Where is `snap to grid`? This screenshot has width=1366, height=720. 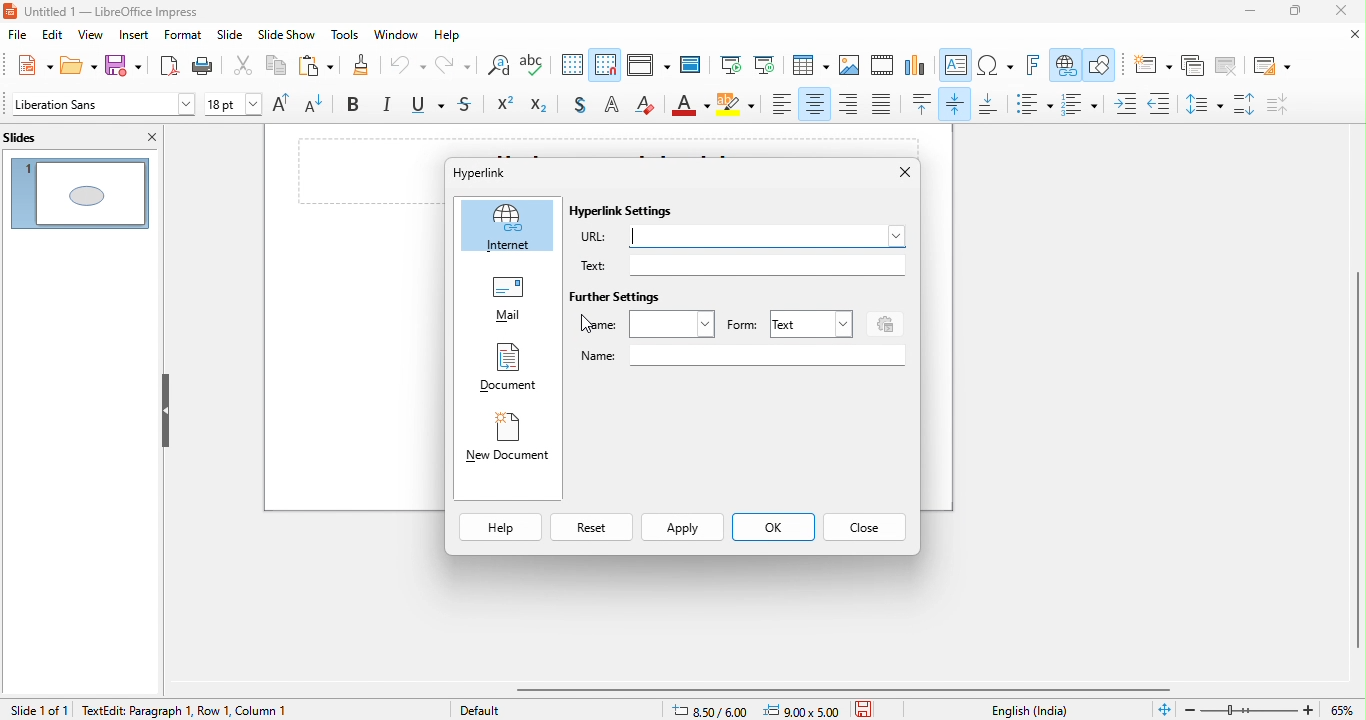
snap to grid is located at coordinates (607, 64).